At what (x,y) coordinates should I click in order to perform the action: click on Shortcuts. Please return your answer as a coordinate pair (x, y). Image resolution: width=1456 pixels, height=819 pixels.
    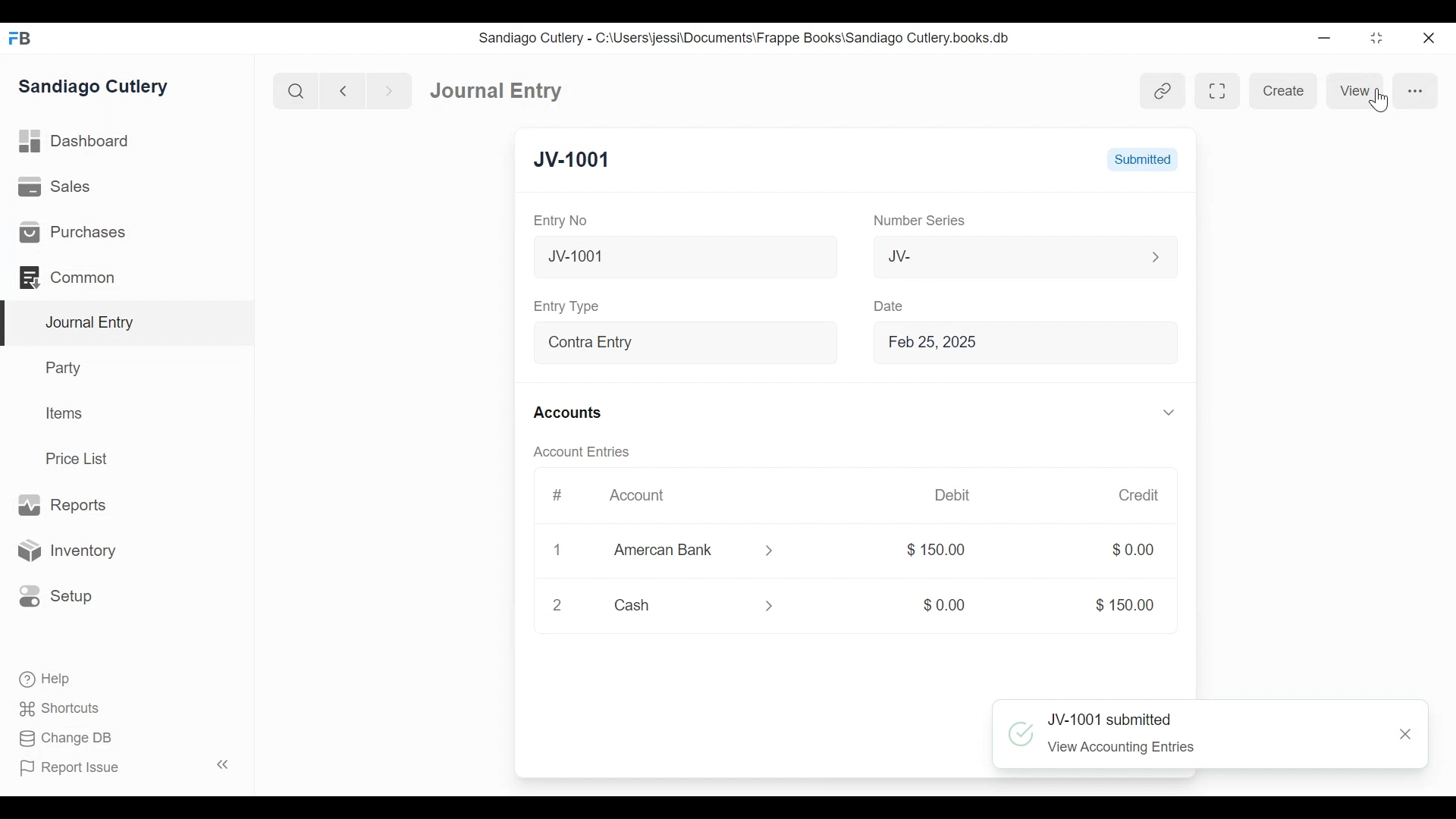
    Looking at the image, I should click on (64, 708).